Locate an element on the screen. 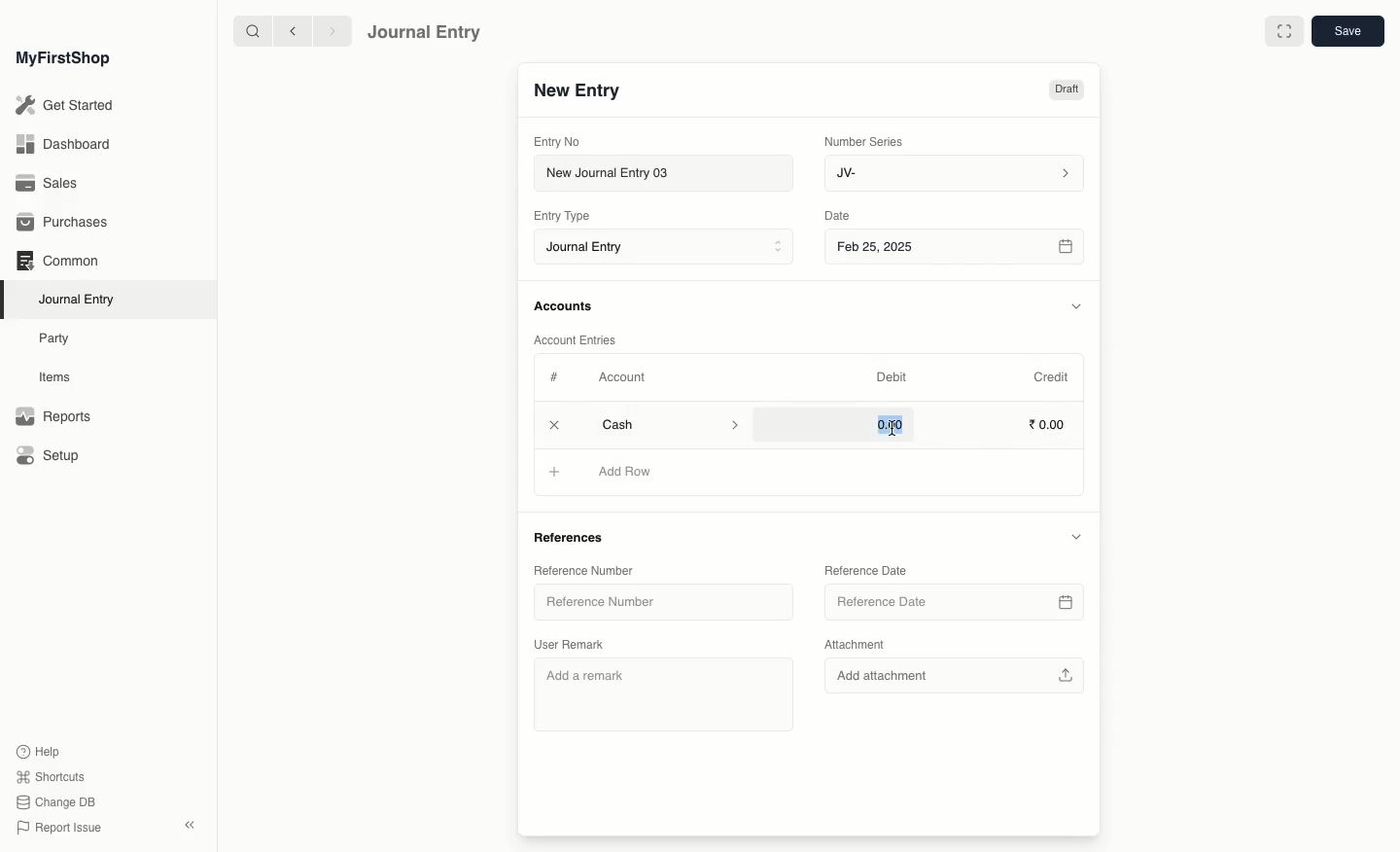 This screenshot has height=852, width=1400. Account Entries is located at coordinates (582, 340).